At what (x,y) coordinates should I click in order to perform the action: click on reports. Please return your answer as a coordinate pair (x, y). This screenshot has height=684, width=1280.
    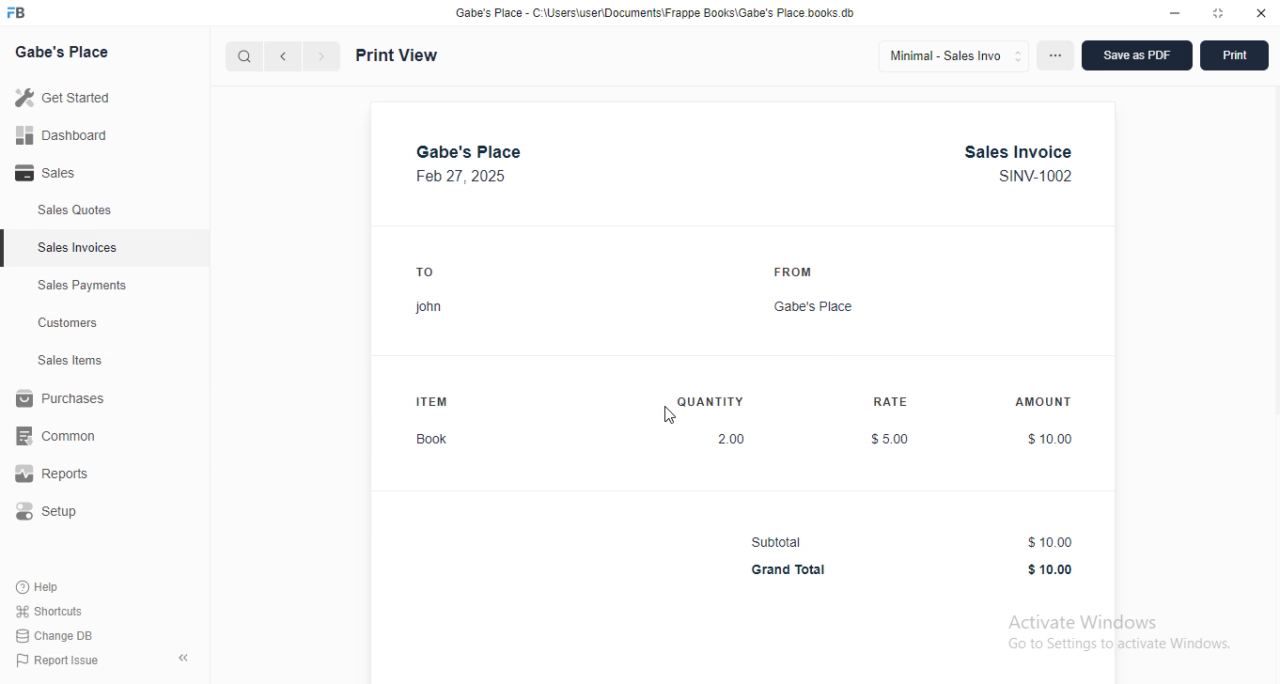
    Looking at the image, I should click on (51, 474).